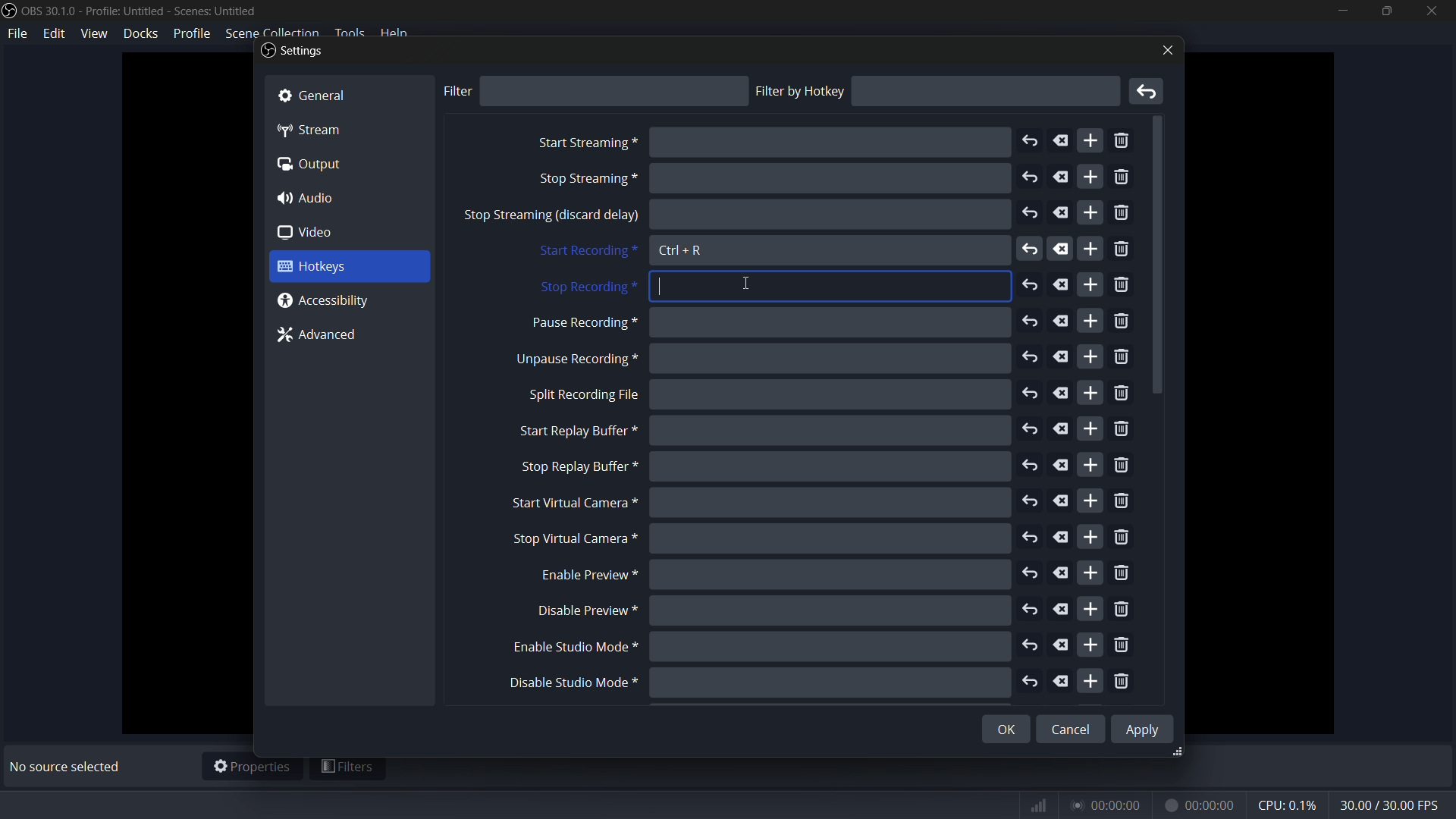 This screenshot has height=819, width=1456. Describe the element at coordinates (585, 180) in the screenshot. I see `stop screaming` at that location.